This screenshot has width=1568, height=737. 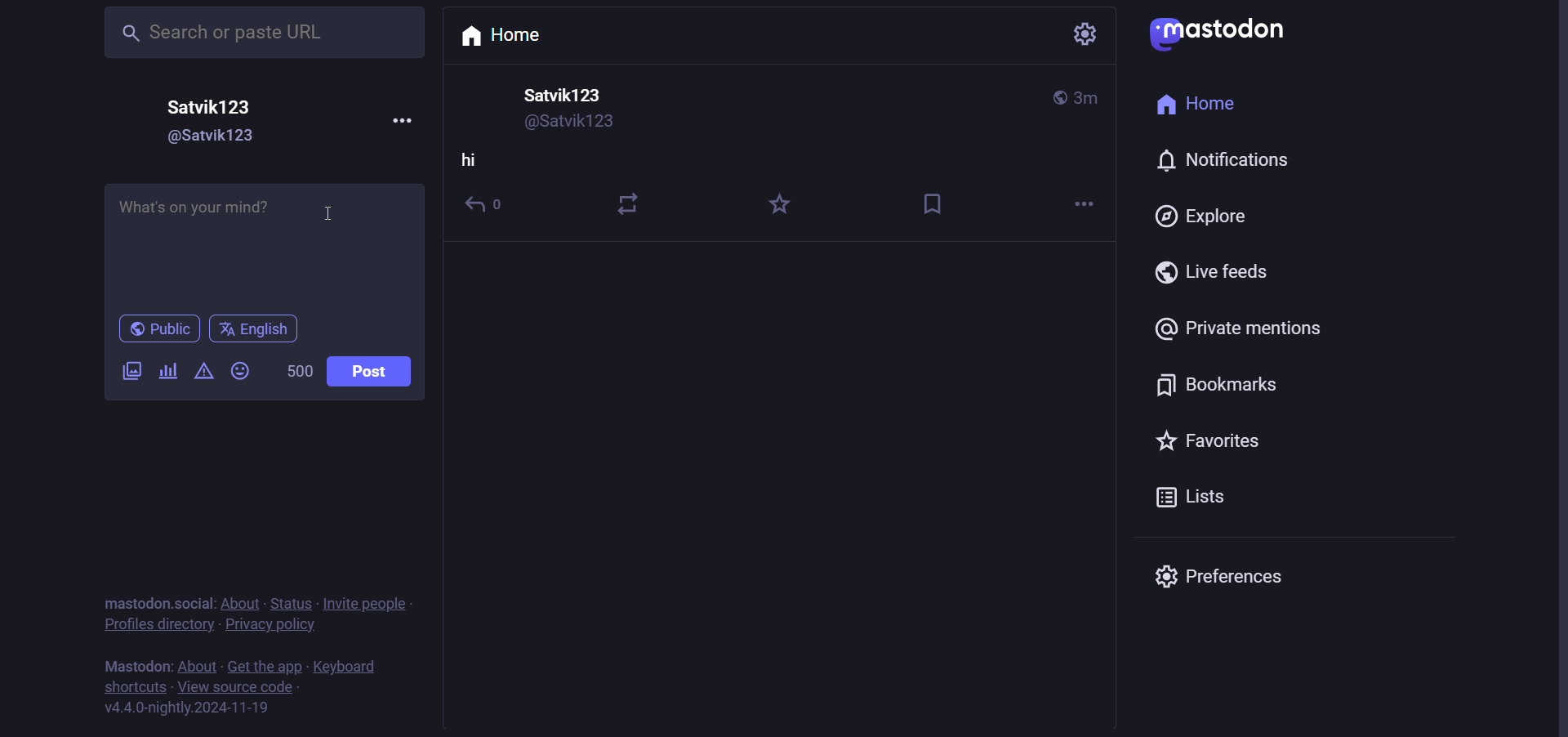 What do you see at coordinates (156, 329) in the screenshot?
I see `public` at bounding box center [156, 329].